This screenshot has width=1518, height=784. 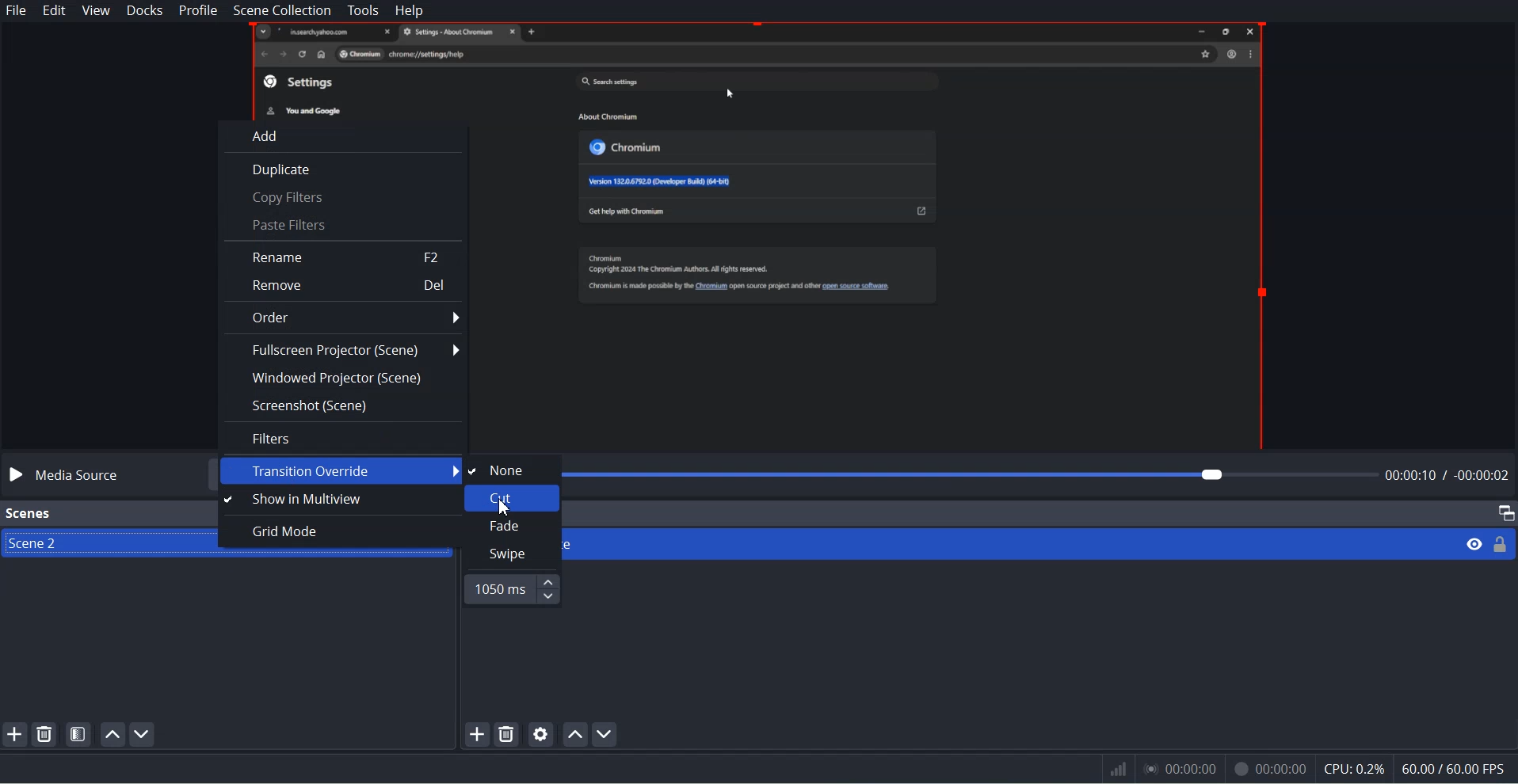 I want to click on Time Adjuster, so click(x=513, y=589).